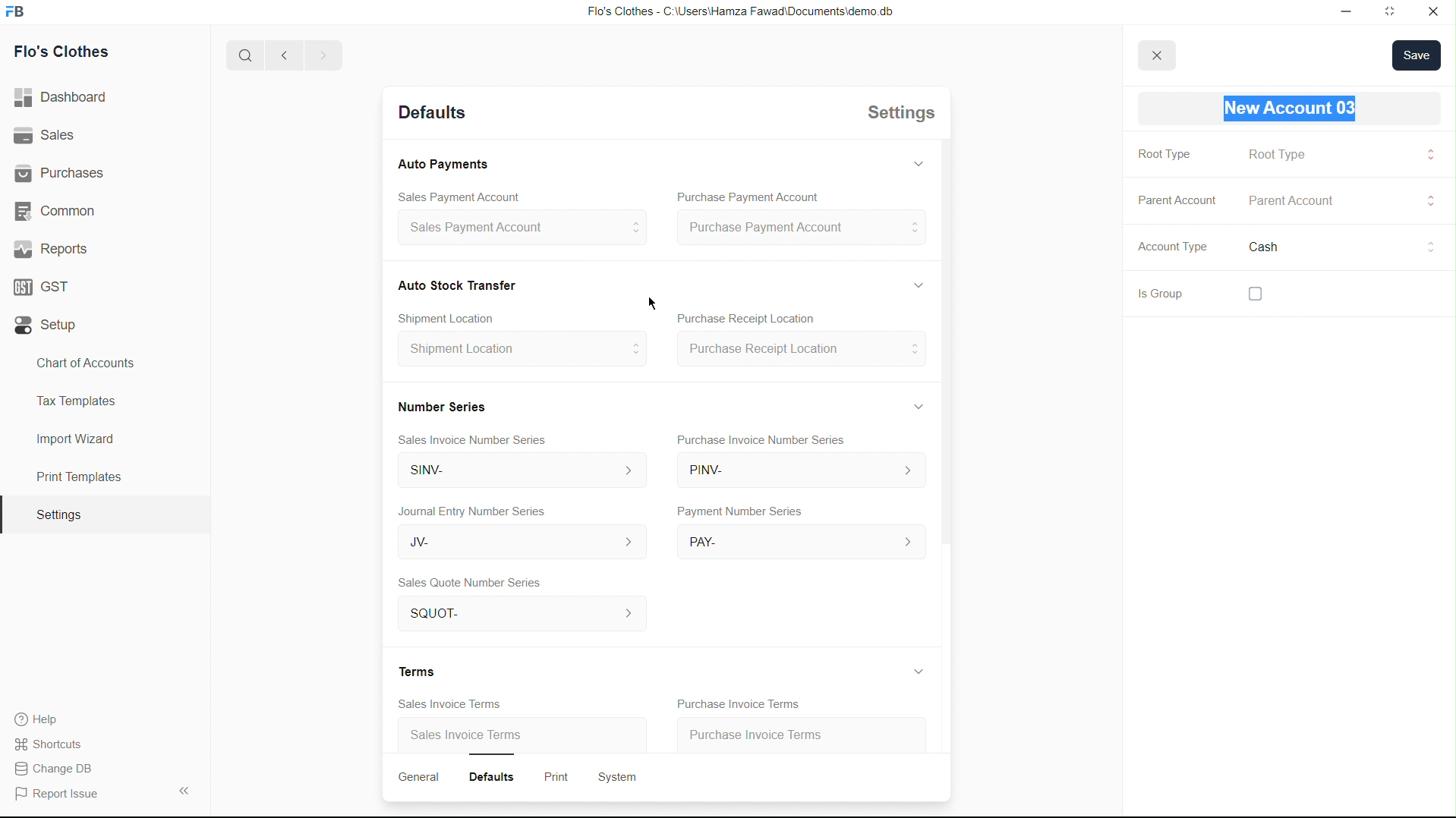  I want to click on General, so click(421, 777).